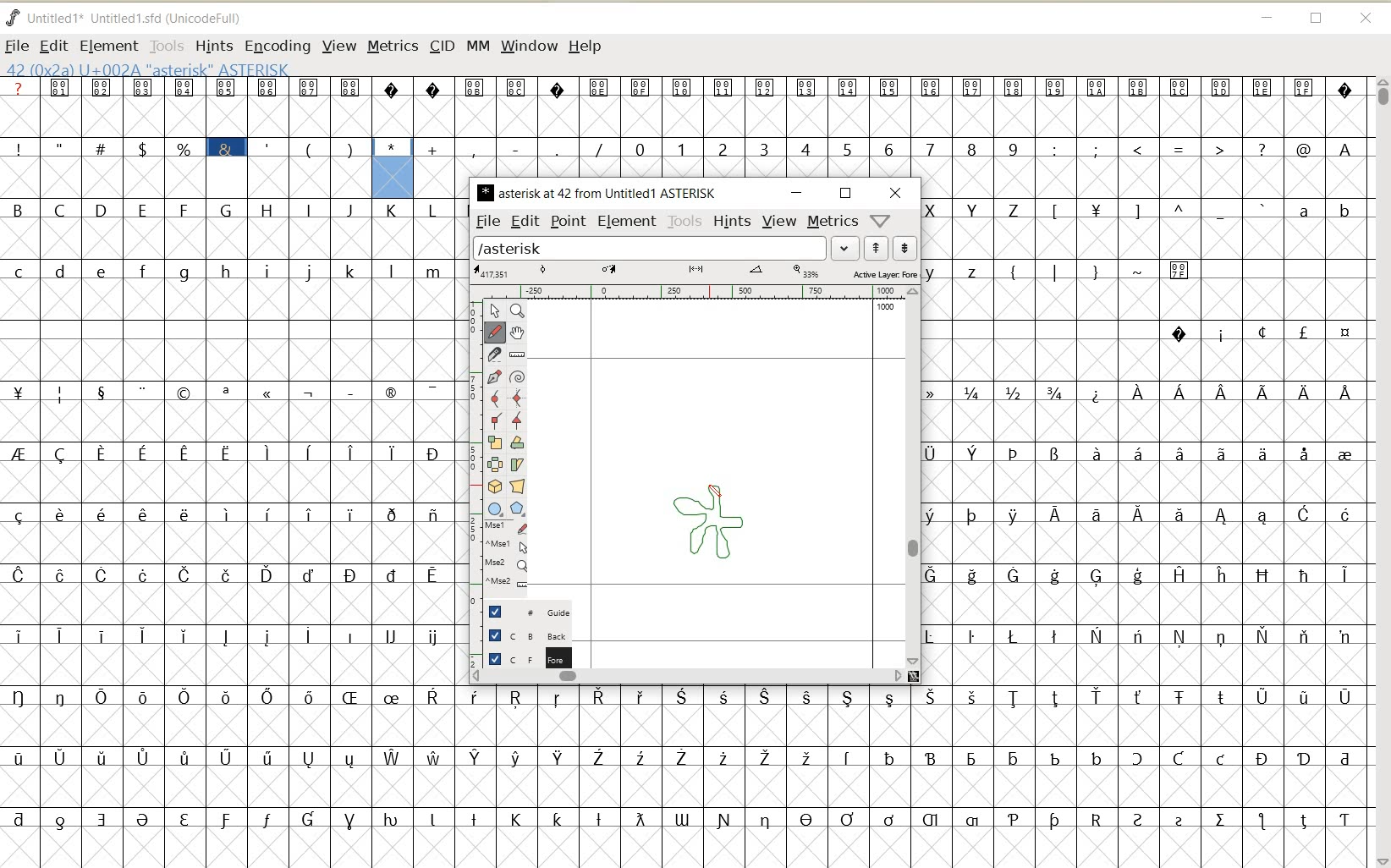 This screenshot has width=1391, height=868. I want to click on MINIMIZE, so click(798, 193).